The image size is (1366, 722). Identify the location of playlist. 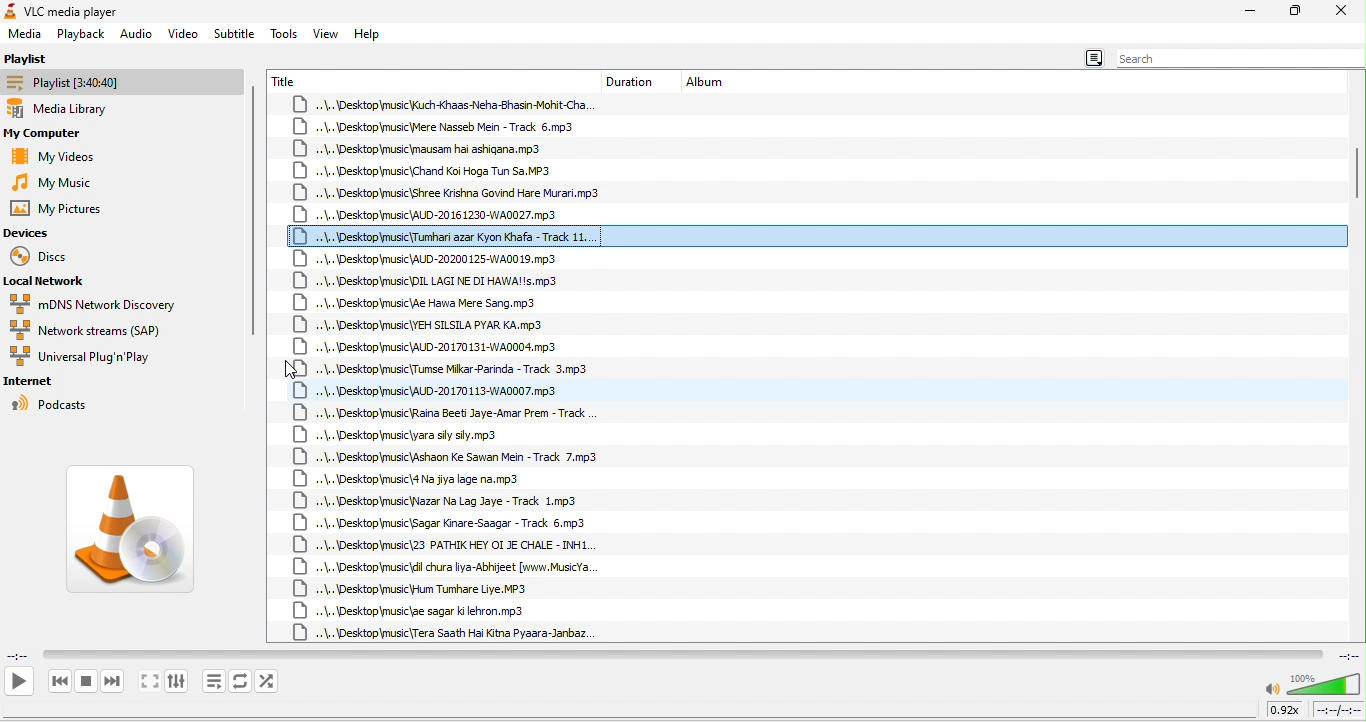
(44, 56).